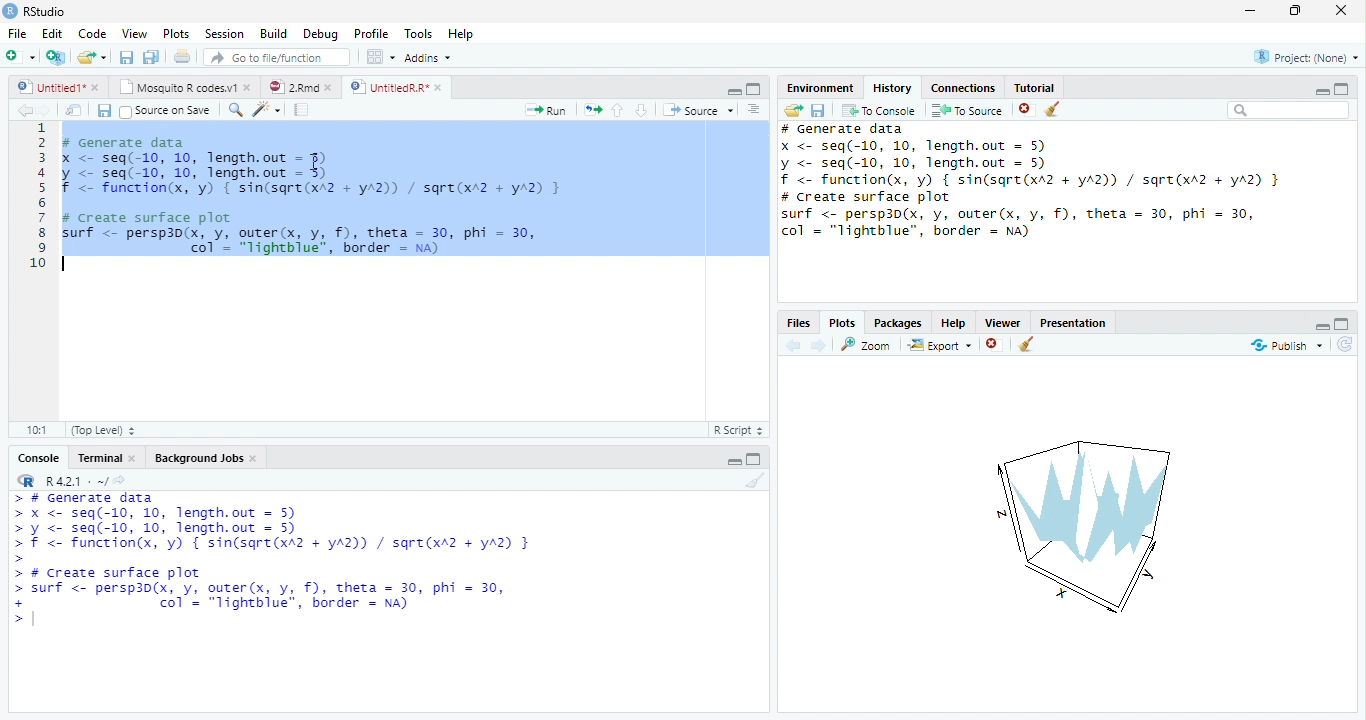 Image resolution: width=1366 pixels, height=720 pixels. I want to click on plot, so click(1079, 524).